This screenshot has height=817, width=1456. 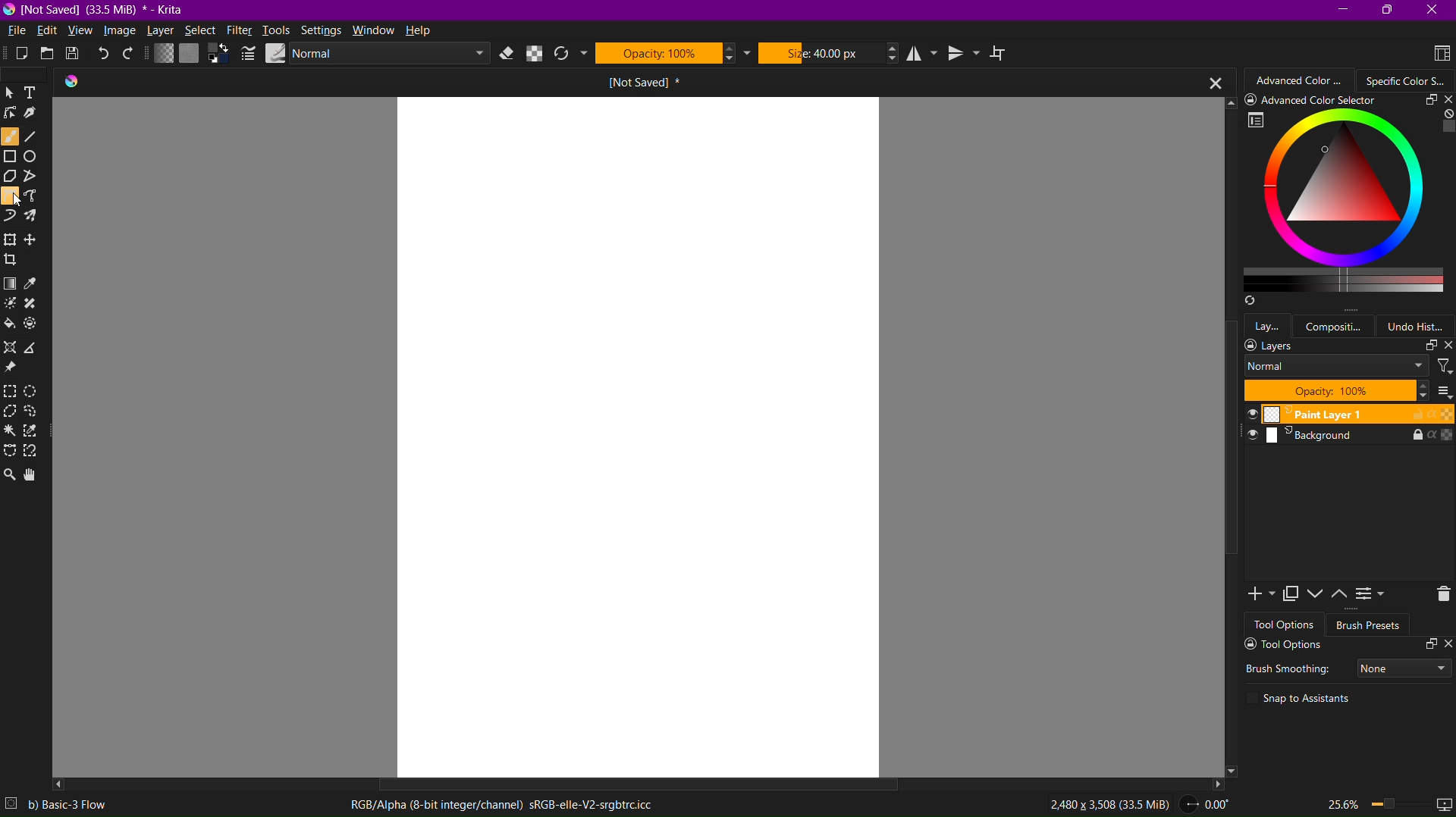 What do you see at coordinates (569, 55) in the screenshot?
I see `Reload Original Preset` at bounding box center [569, 55].